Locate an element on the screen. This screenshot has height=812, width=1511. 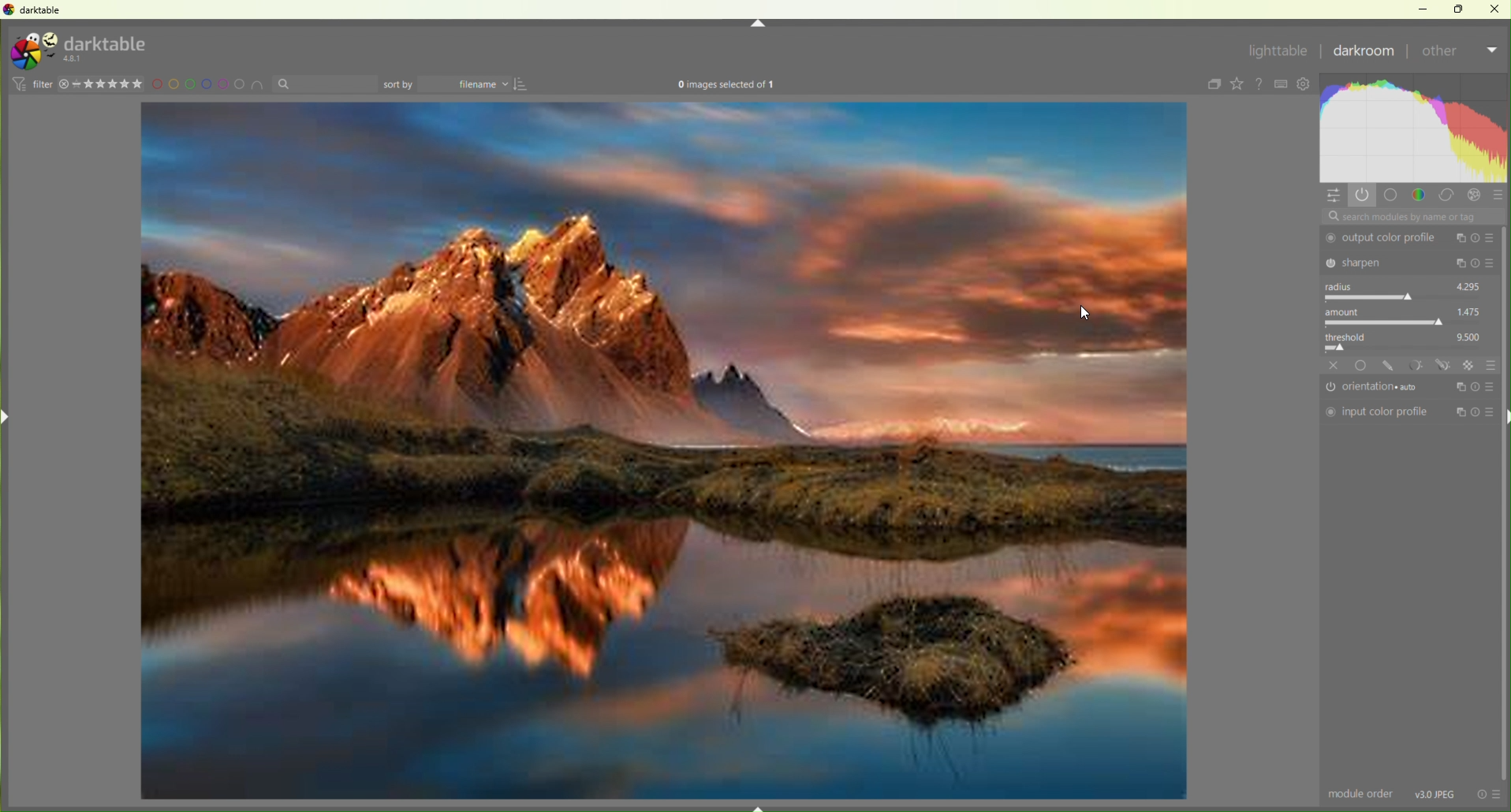
module order is located at coordinates (1362, 795).